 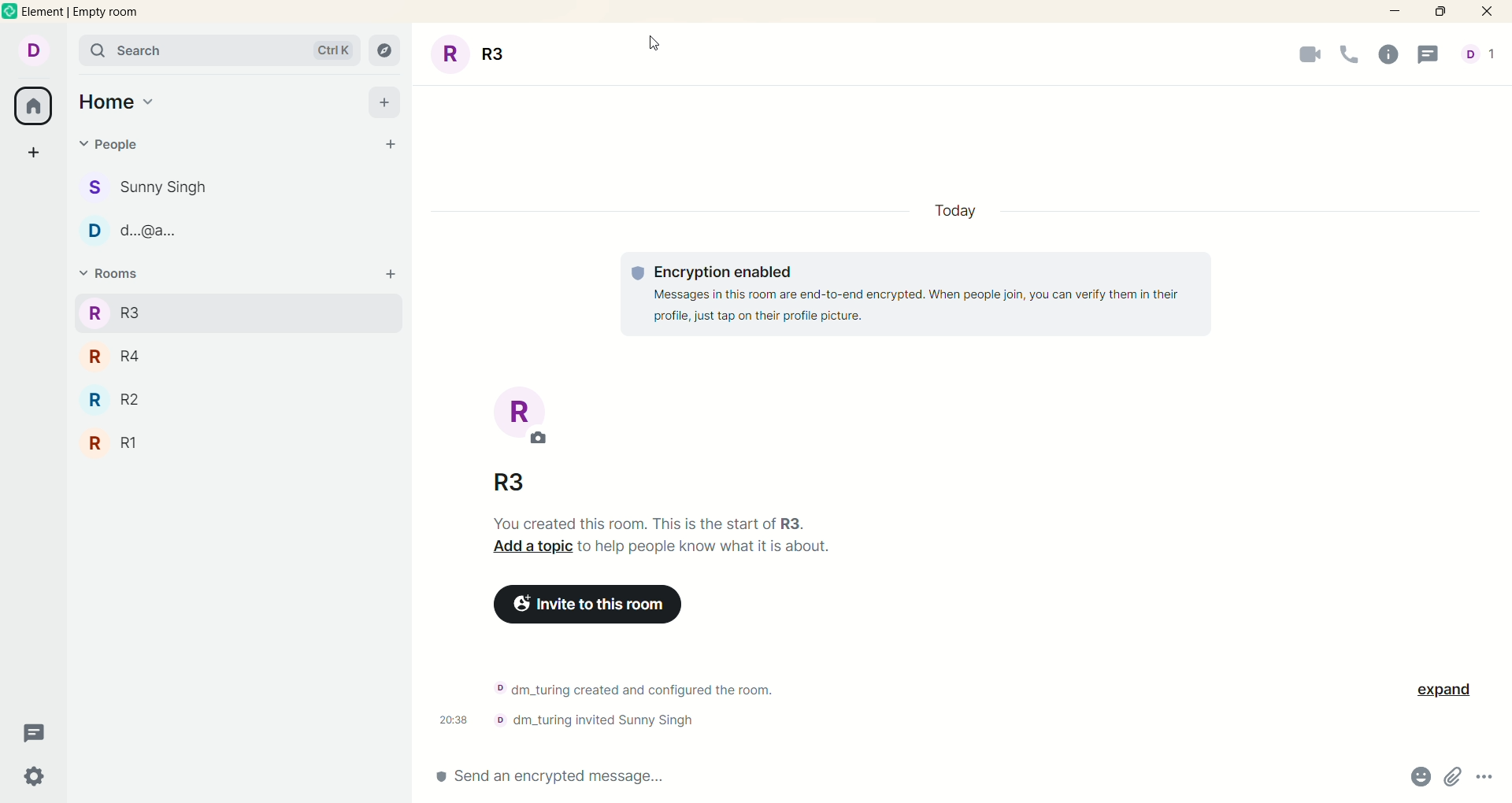 I want to click on R R4, so click(x=115, y=356).